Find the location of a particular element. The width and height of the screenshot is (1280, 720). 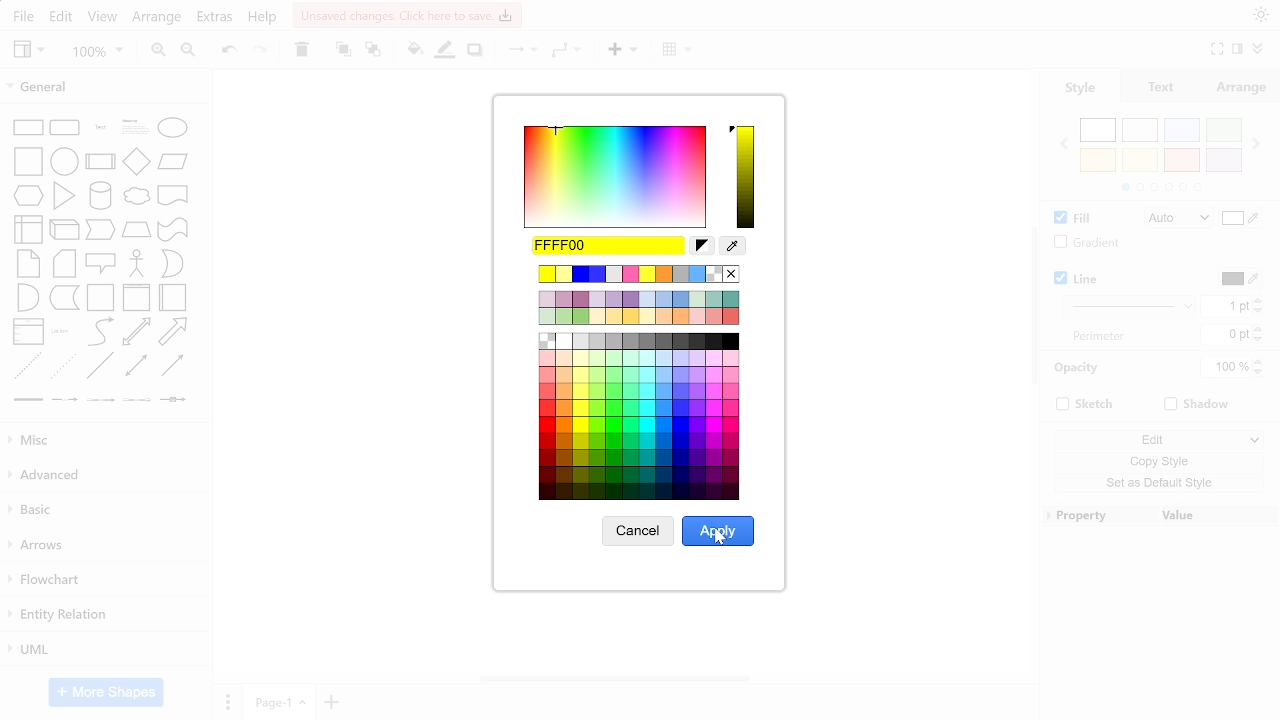

all colors is located at coordinates (641, 417).